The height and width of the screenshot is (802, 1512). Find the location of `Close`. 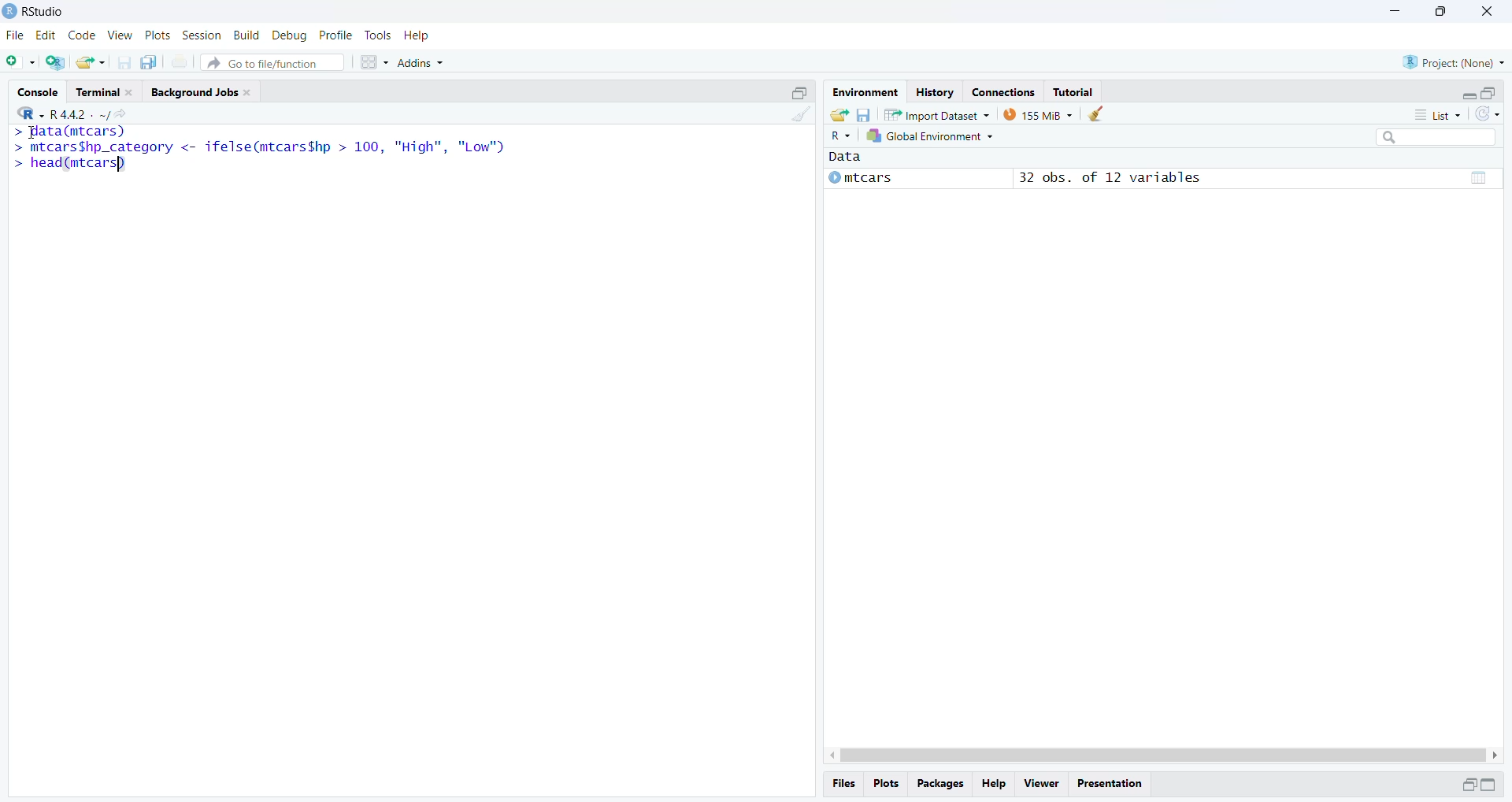

Close is located at coordinates (1488, 13).